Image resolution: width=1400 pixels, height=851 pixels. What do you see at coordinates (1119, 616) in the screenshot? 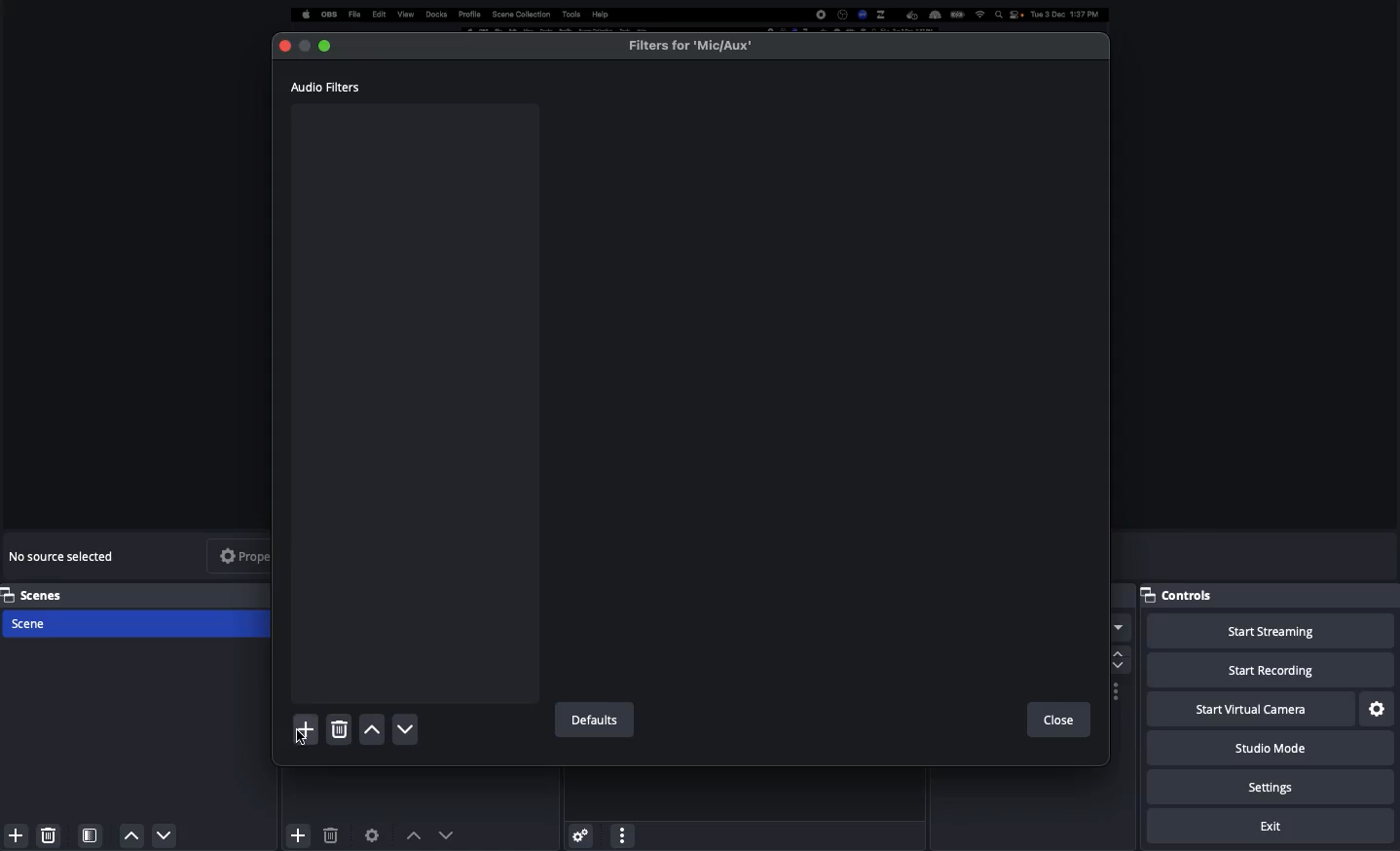
I see `drop down` at bounding box center [1119, 616].